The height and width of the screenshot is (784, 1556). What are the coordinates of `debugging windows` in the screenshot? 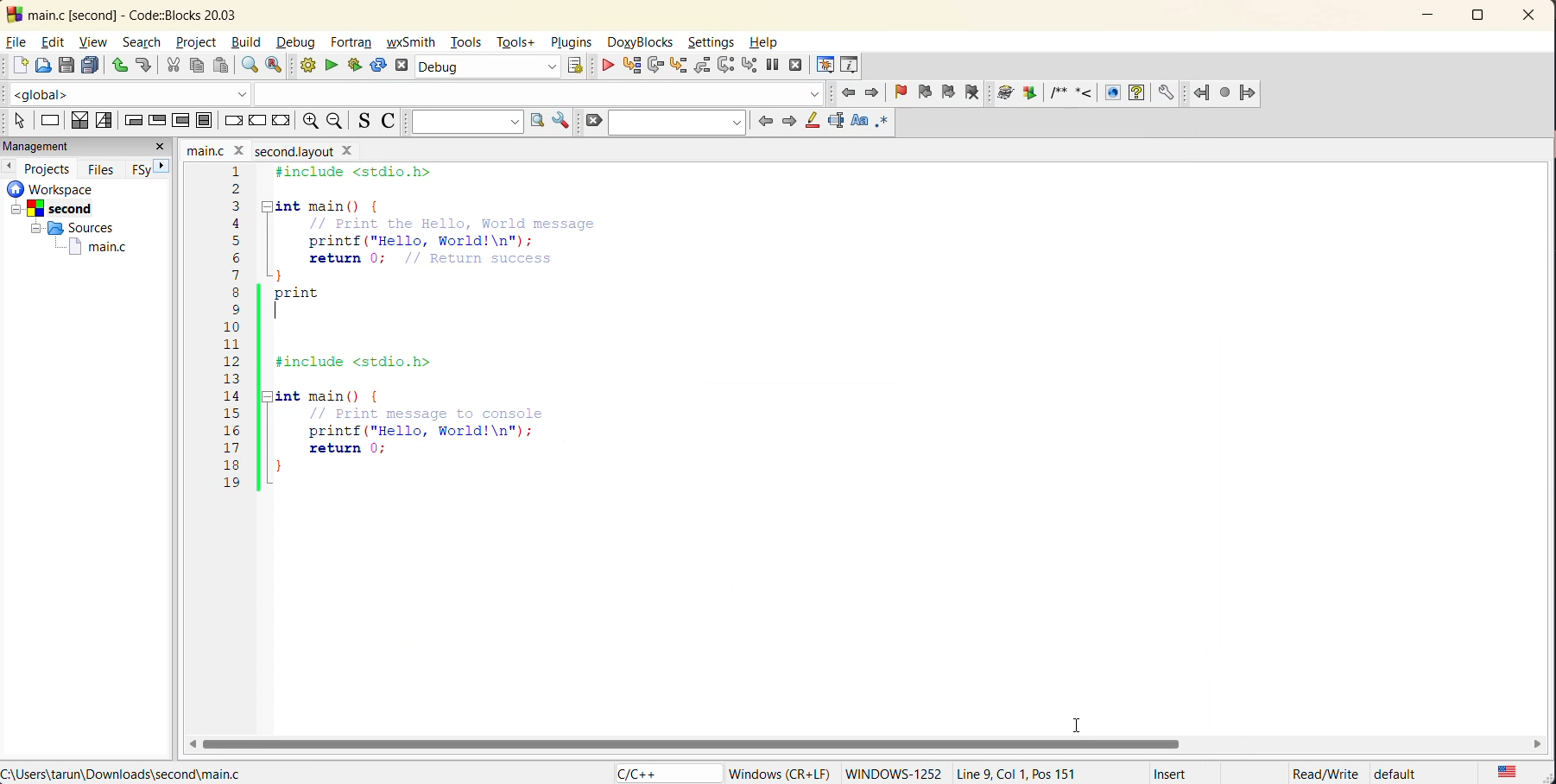 It's located at (824, 66).